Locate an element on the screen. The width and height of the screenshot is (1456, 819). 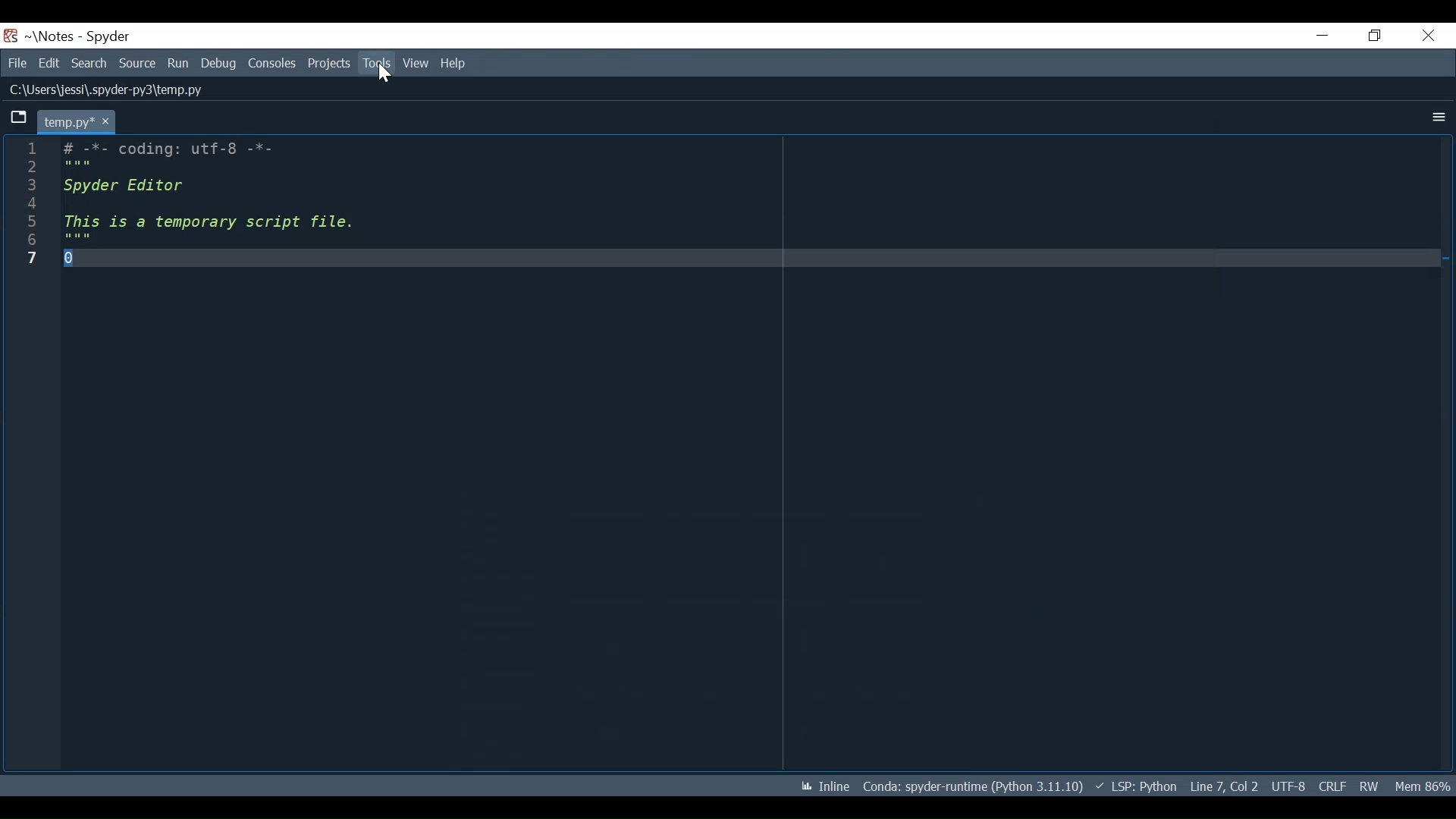
Close is located at coordinates (1427, 33).